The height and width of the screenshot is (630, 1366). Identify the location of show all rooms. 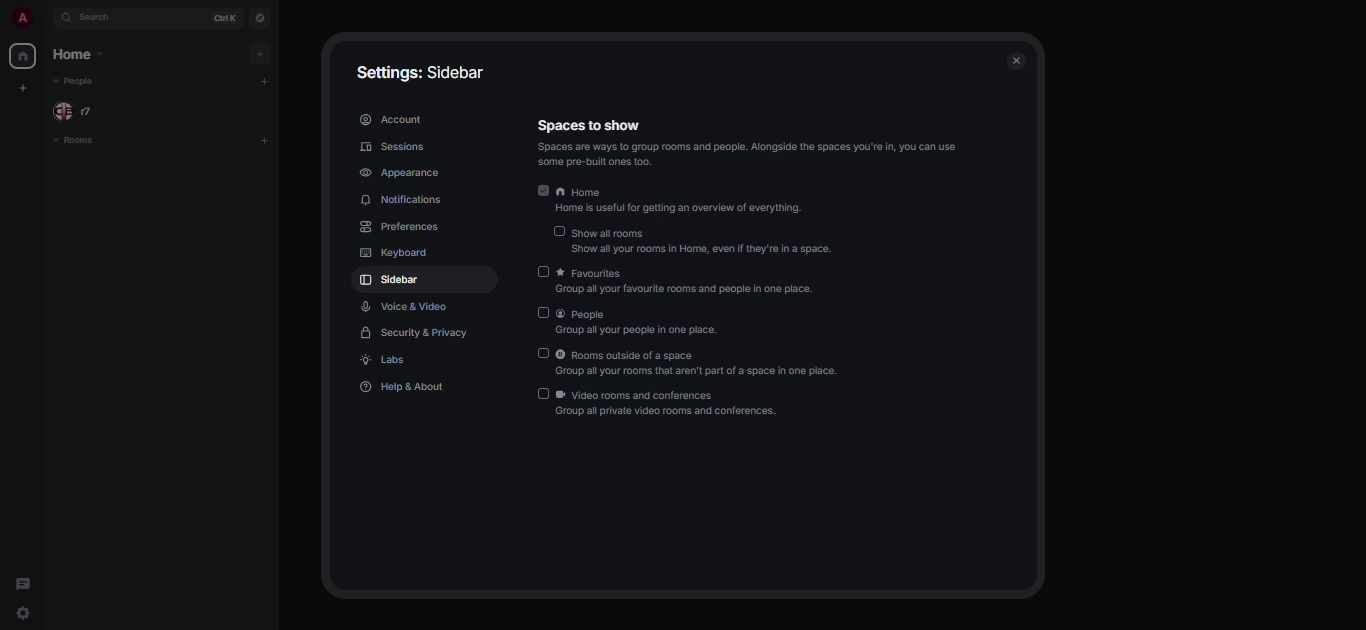
(704, 233).